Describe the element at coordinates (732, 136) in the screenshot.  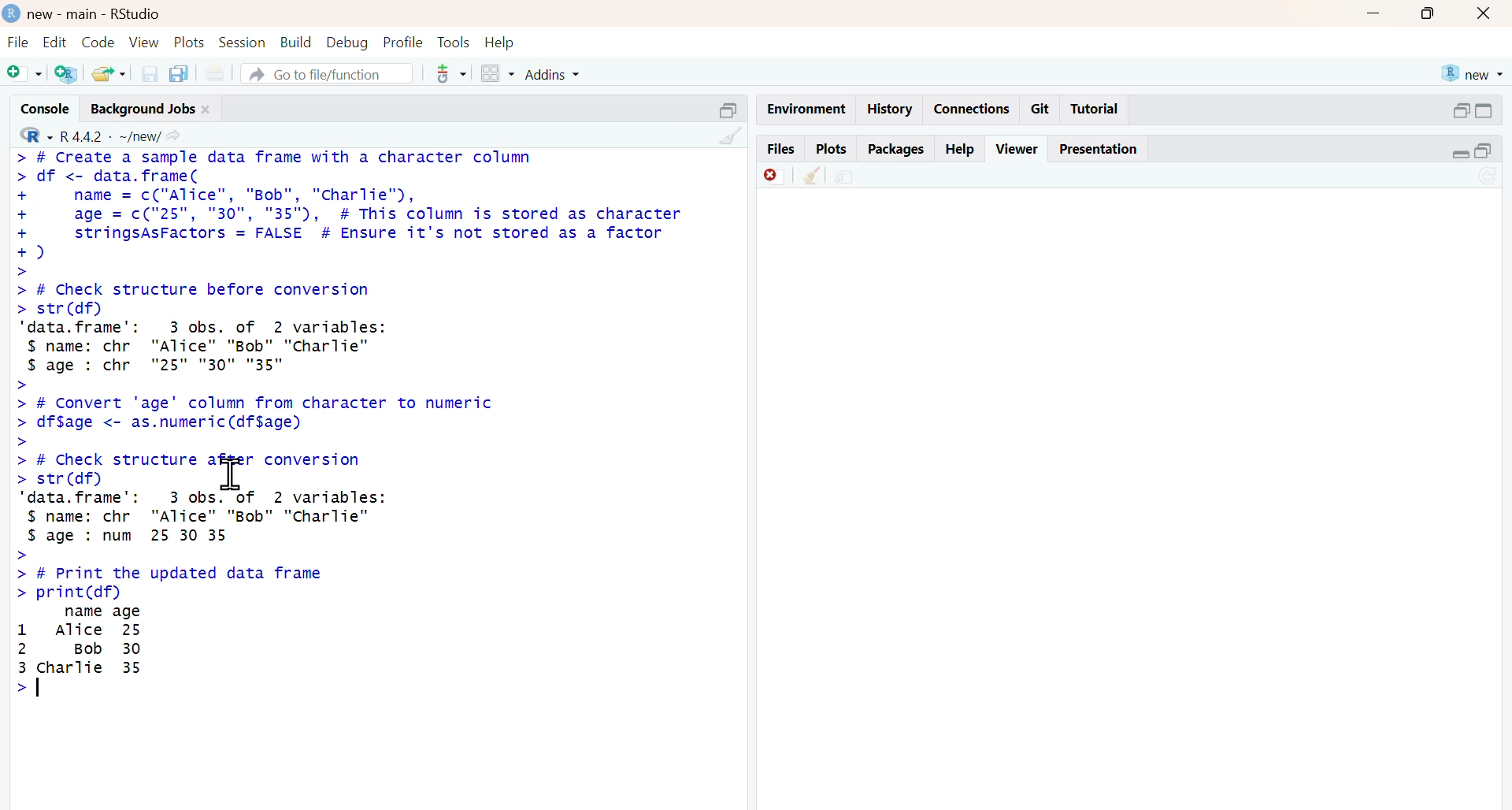
I see `clean` at that location.